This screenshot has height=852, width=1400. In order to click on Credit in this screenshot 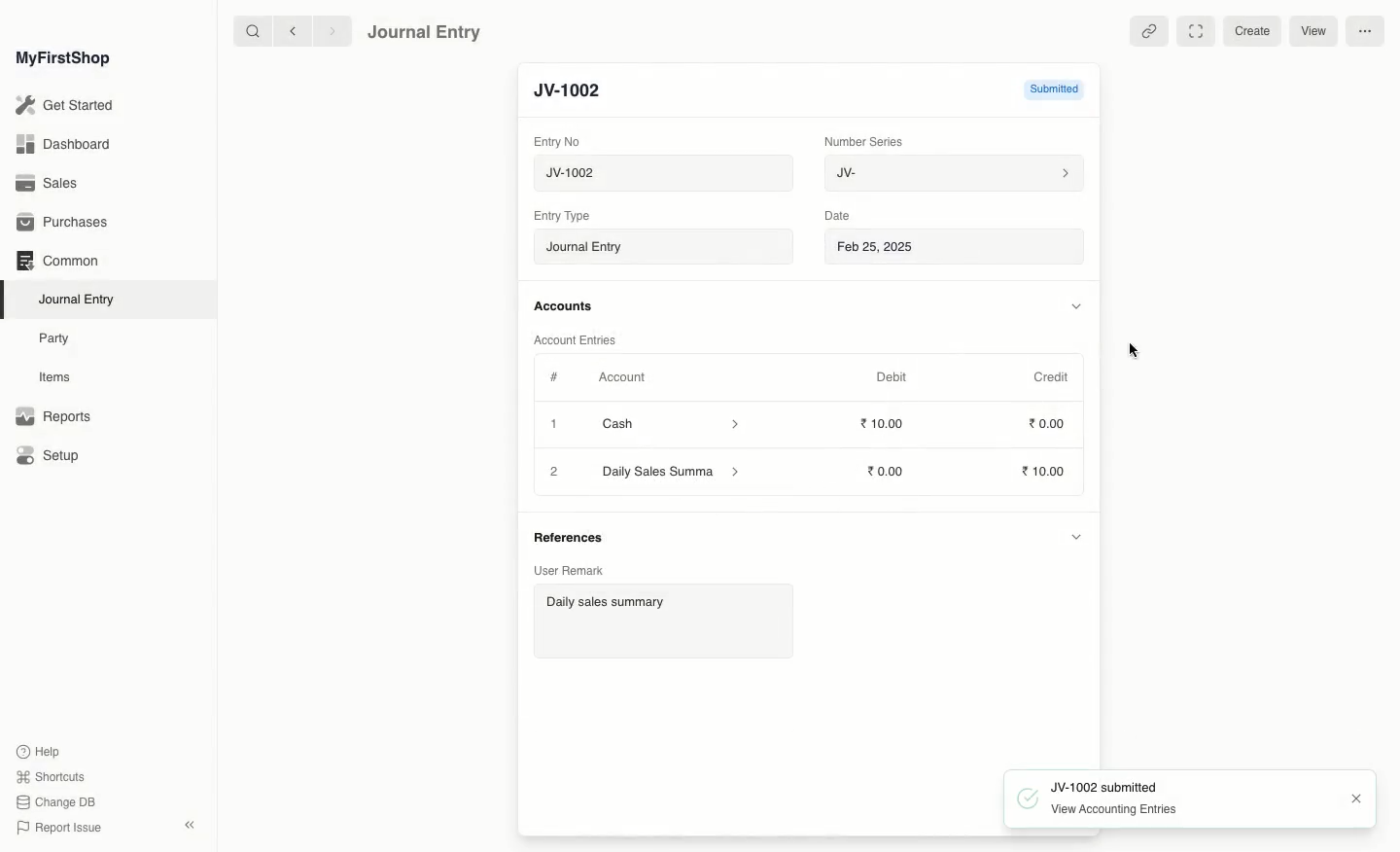, I will do `click(1050, 375)`.